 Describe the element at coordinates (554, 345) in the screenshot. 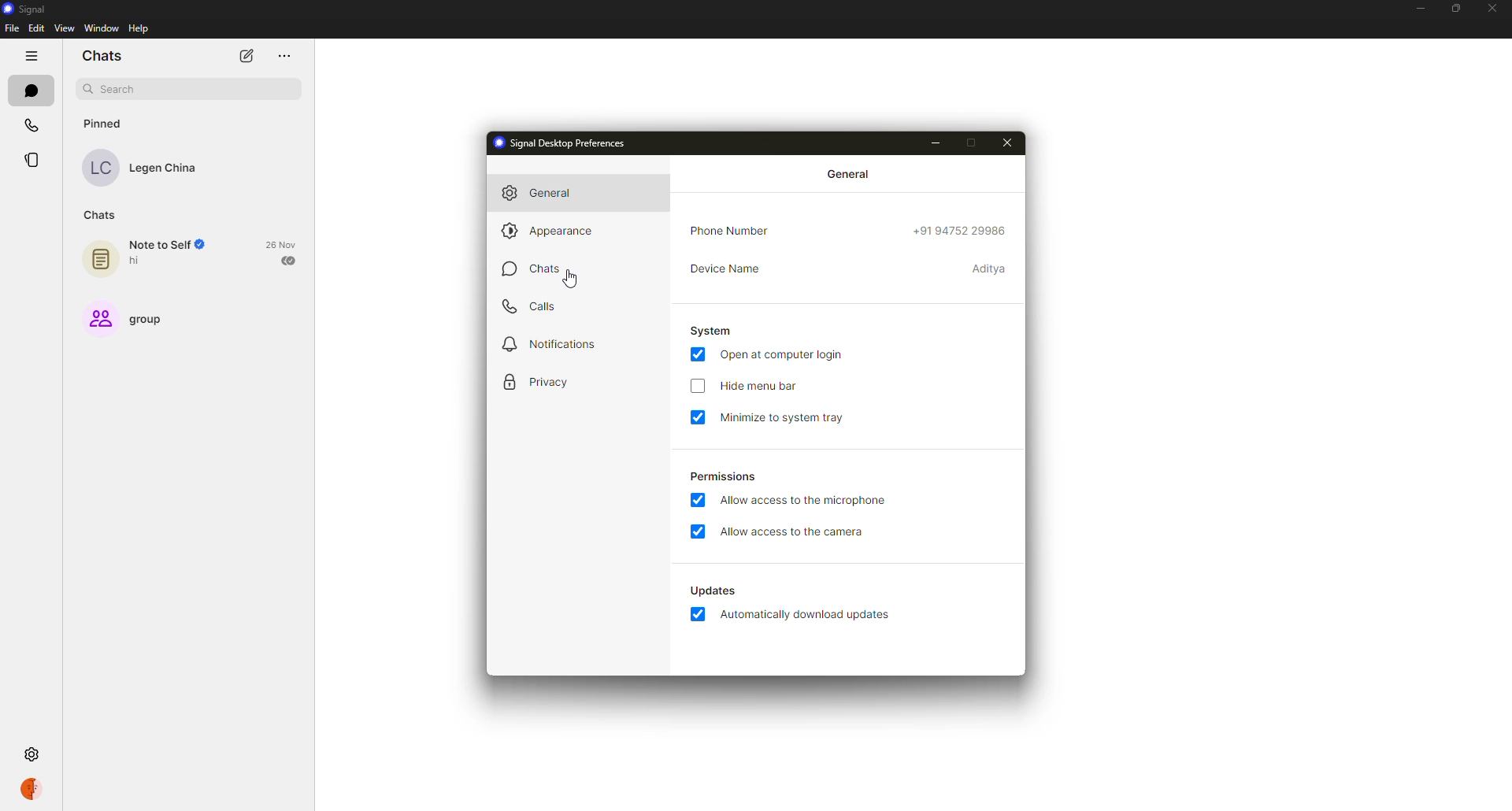

I see `notifications` at that location.